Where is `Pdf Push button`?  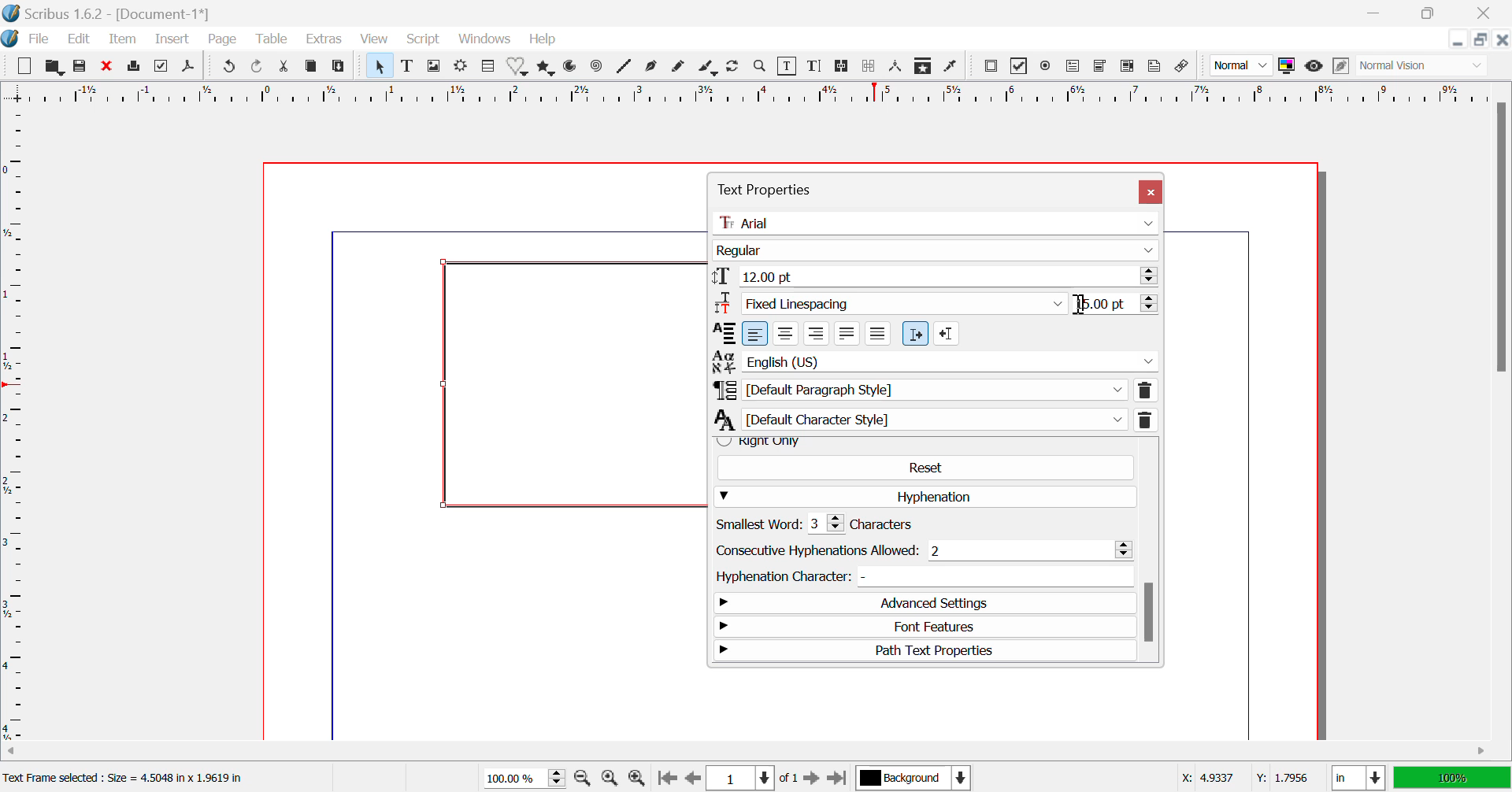
Pdf Push button is located at coordinates (991, 68).